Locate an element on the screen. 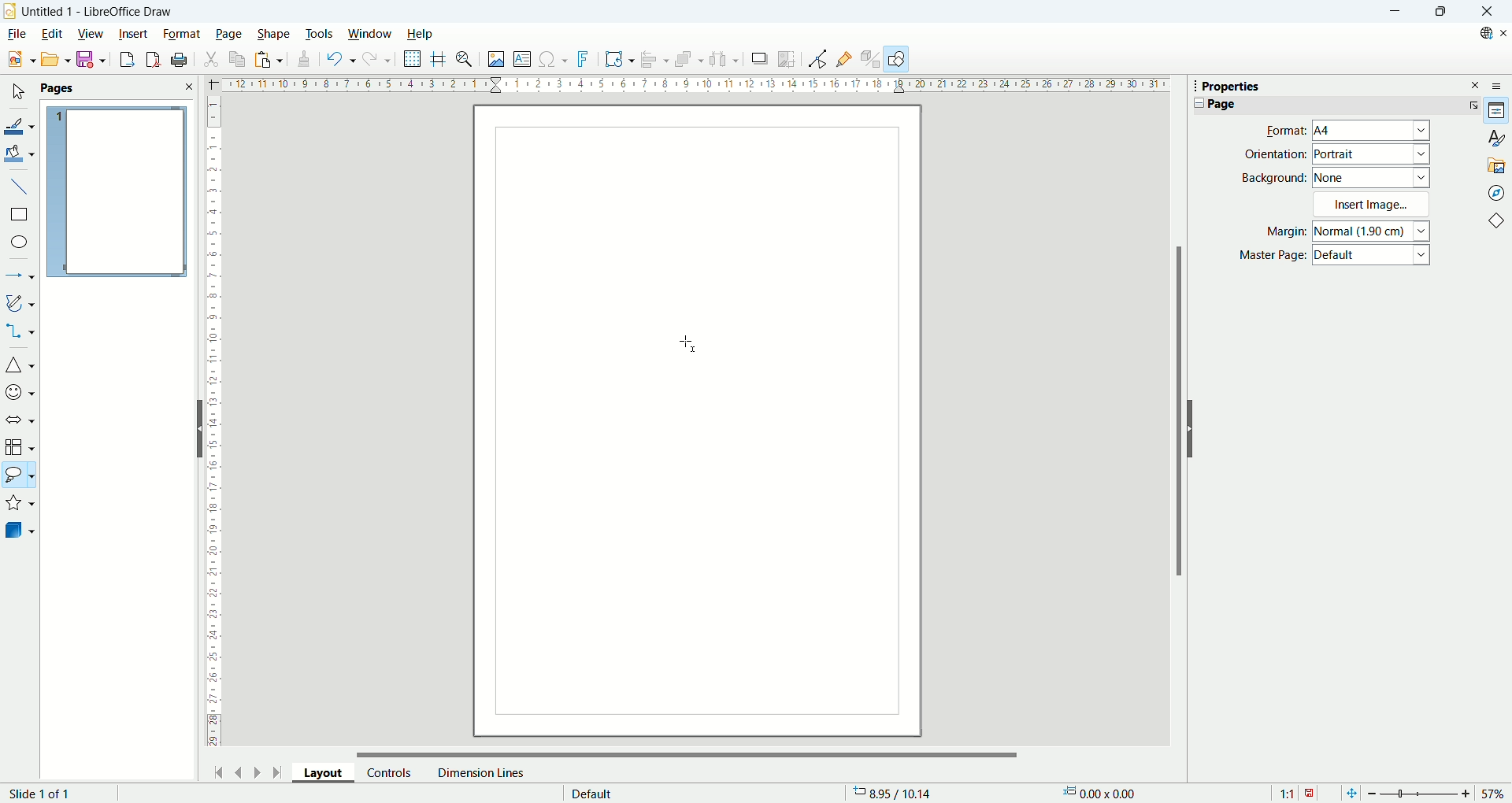  shape is located at coordinates (274, 34).